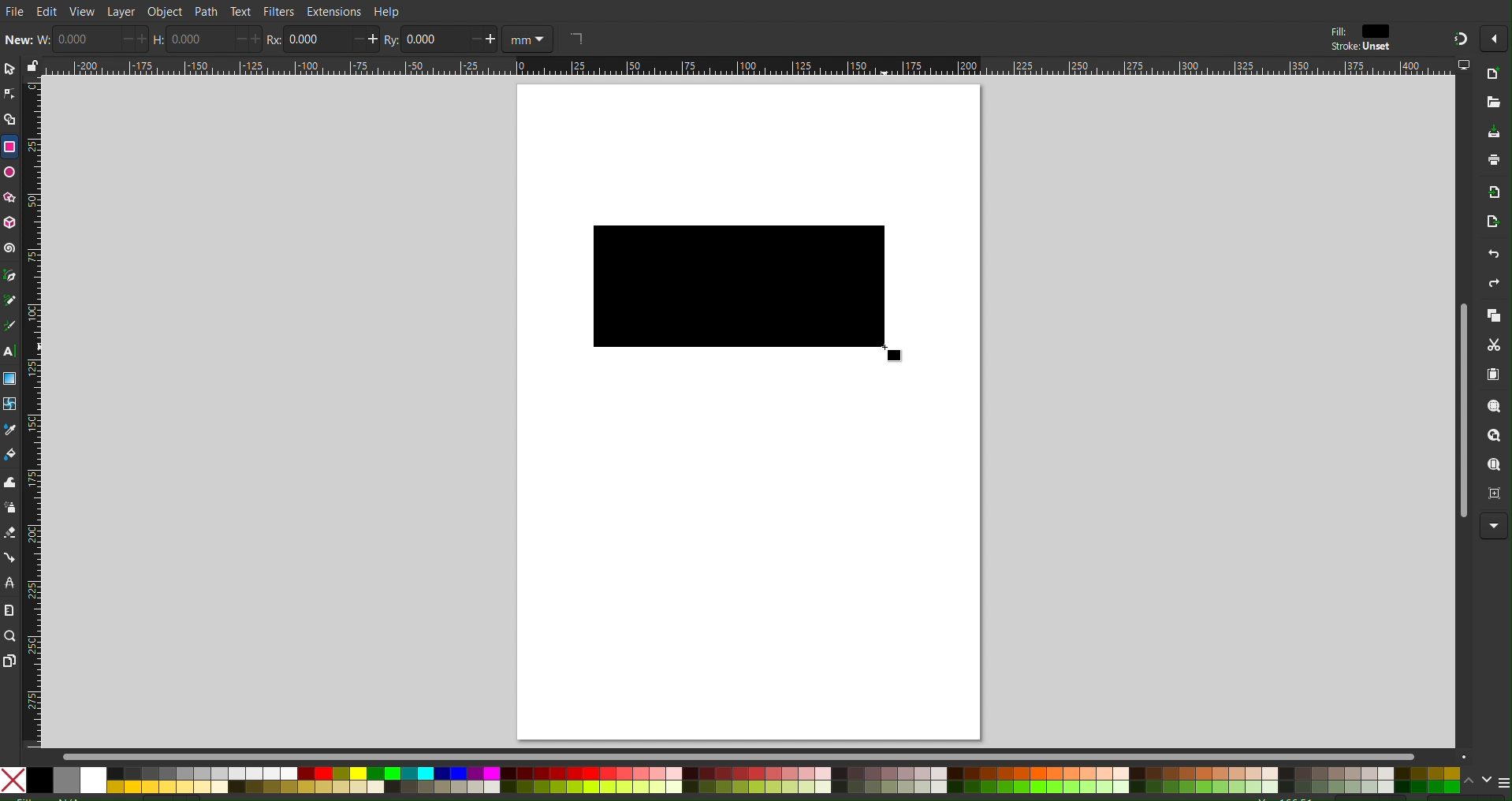 This screenshot has height=801, width=1512. I want to click on RY, so click(389, 40).